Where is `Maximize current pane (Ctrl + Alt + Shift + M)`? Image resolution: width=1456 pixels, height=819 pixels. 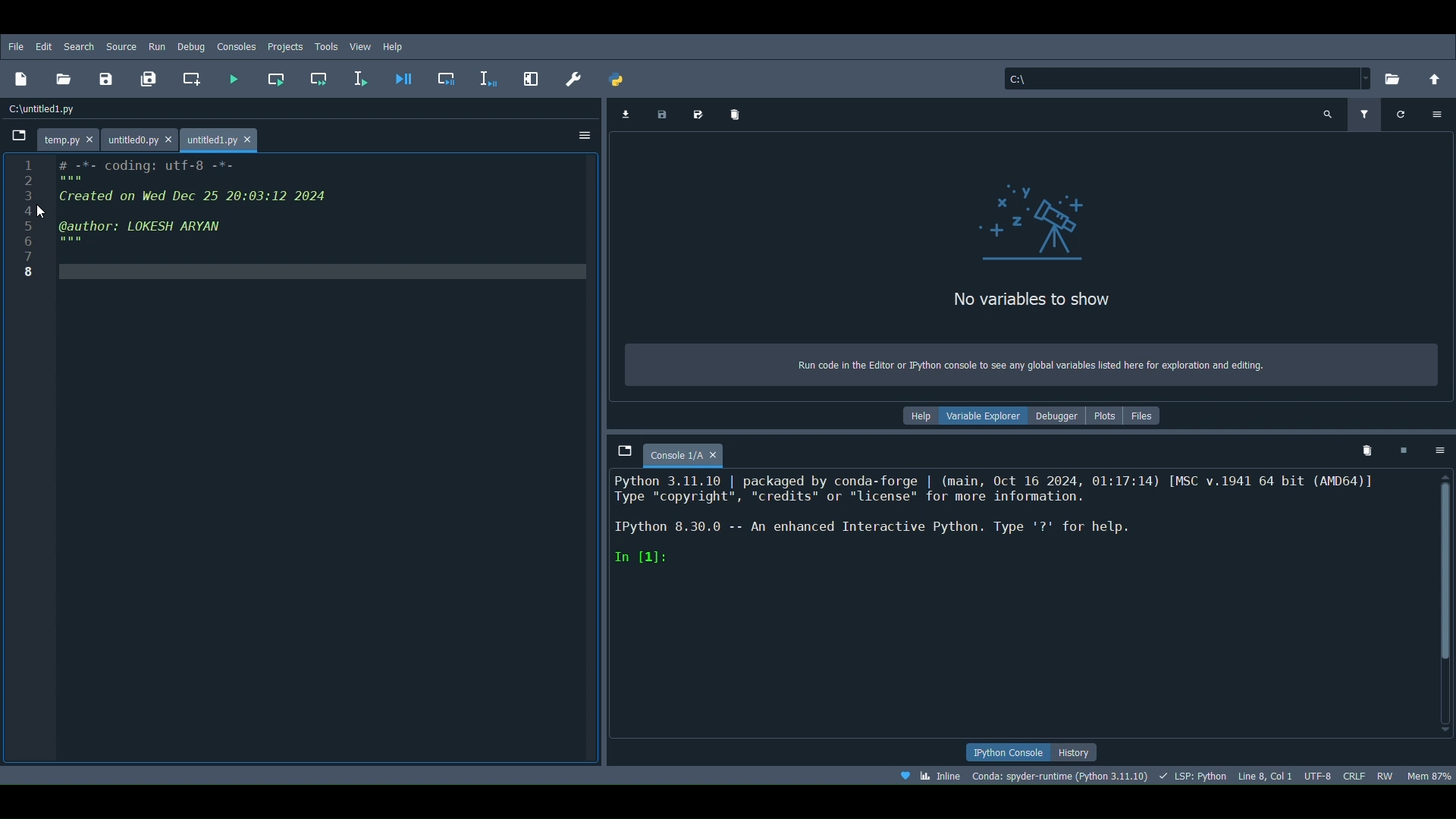 Maximize current pane (Ctrl + Alt + Shift + M) is located at coordinates (532, 74).